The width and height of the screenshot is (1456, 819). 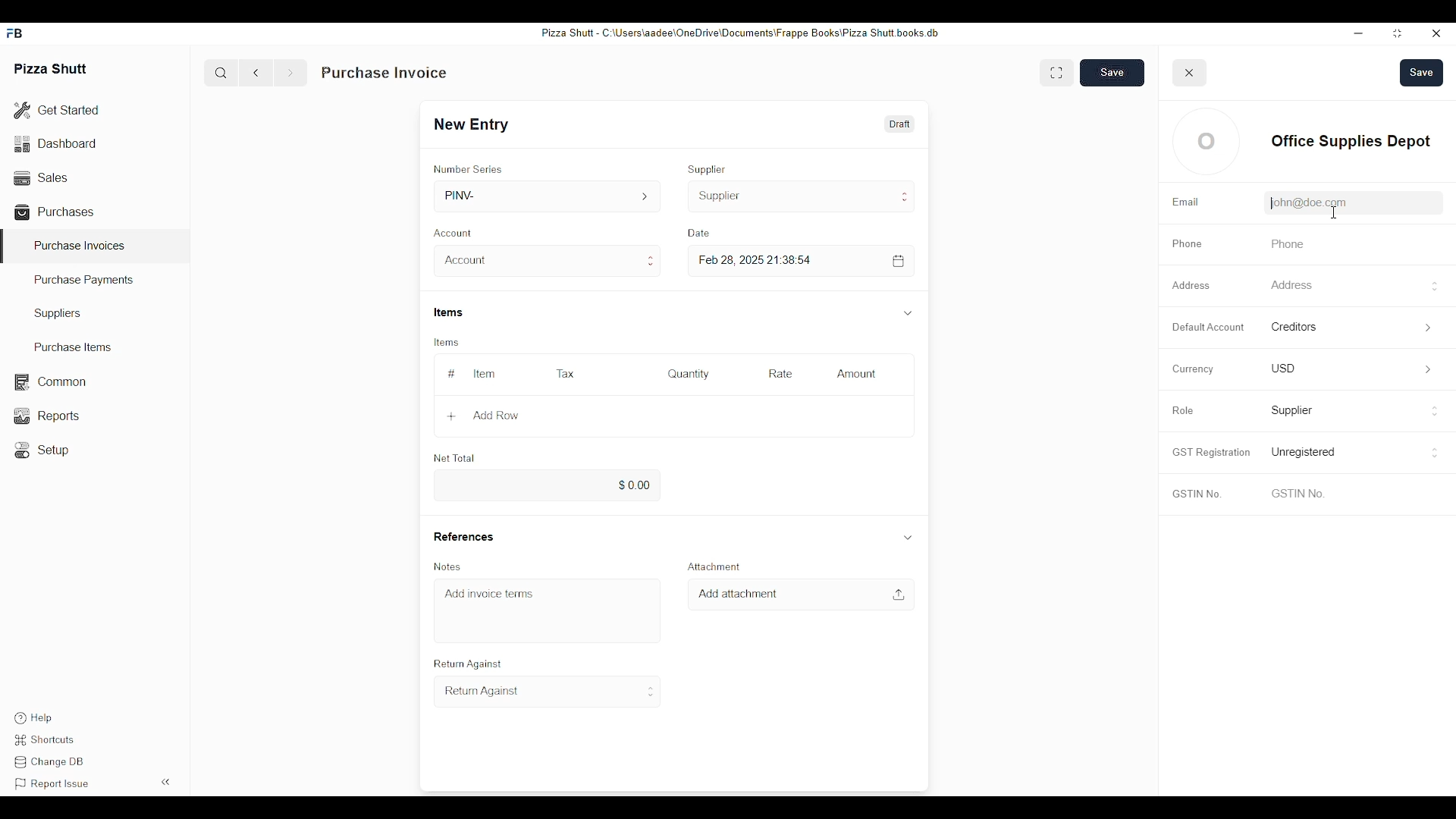 What do you see at coordinates (61, 313) in the screenshot?
I see `Suppliers.` at bounding box center [61, 313].